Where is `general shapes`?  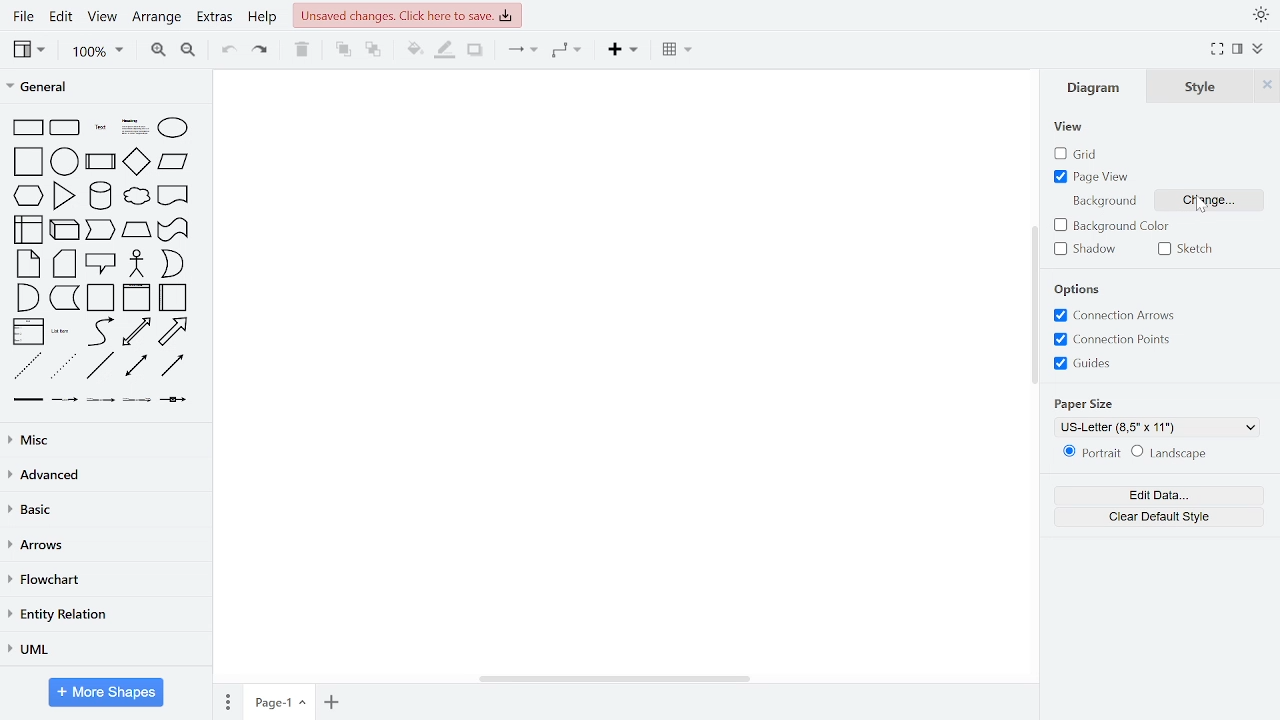 general shapes is located at coordinates (25, 400).